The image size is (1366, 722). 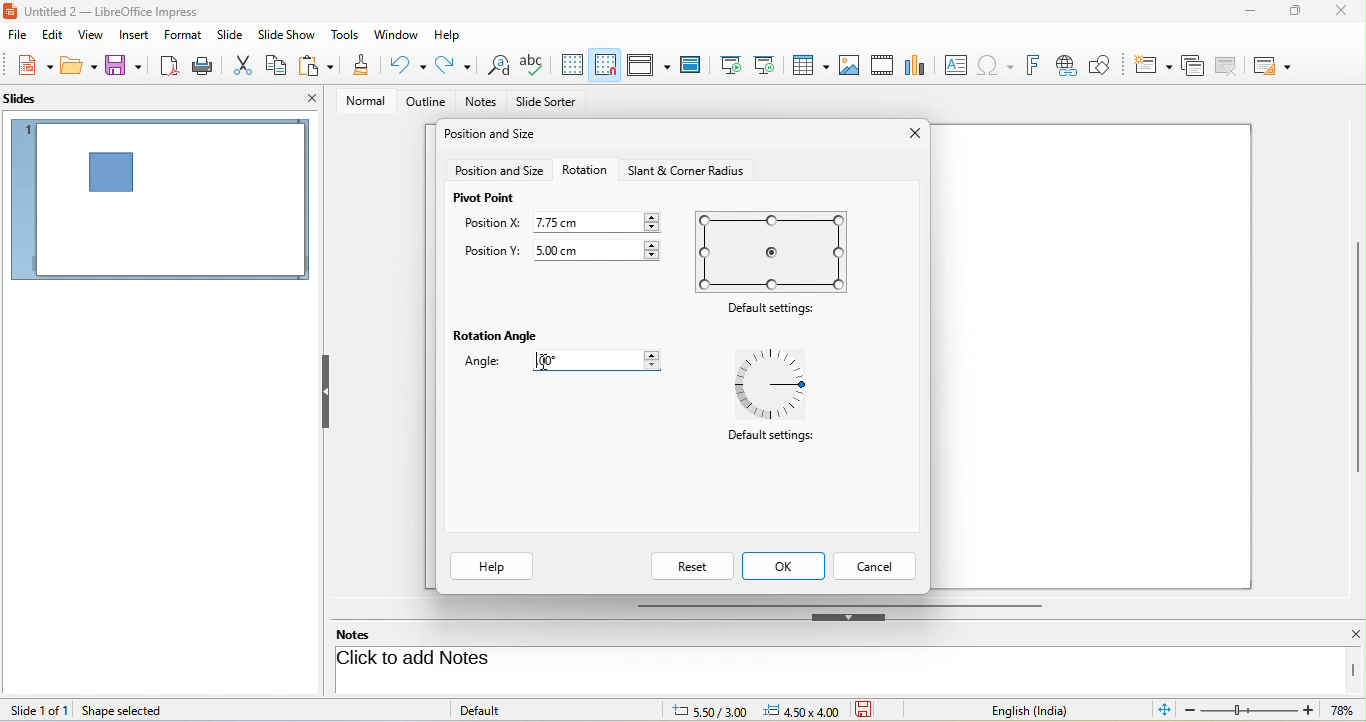 What do you see at coordinates (325, 392) in the screenshot?
I see `hide` at bounding box center [325, 392].